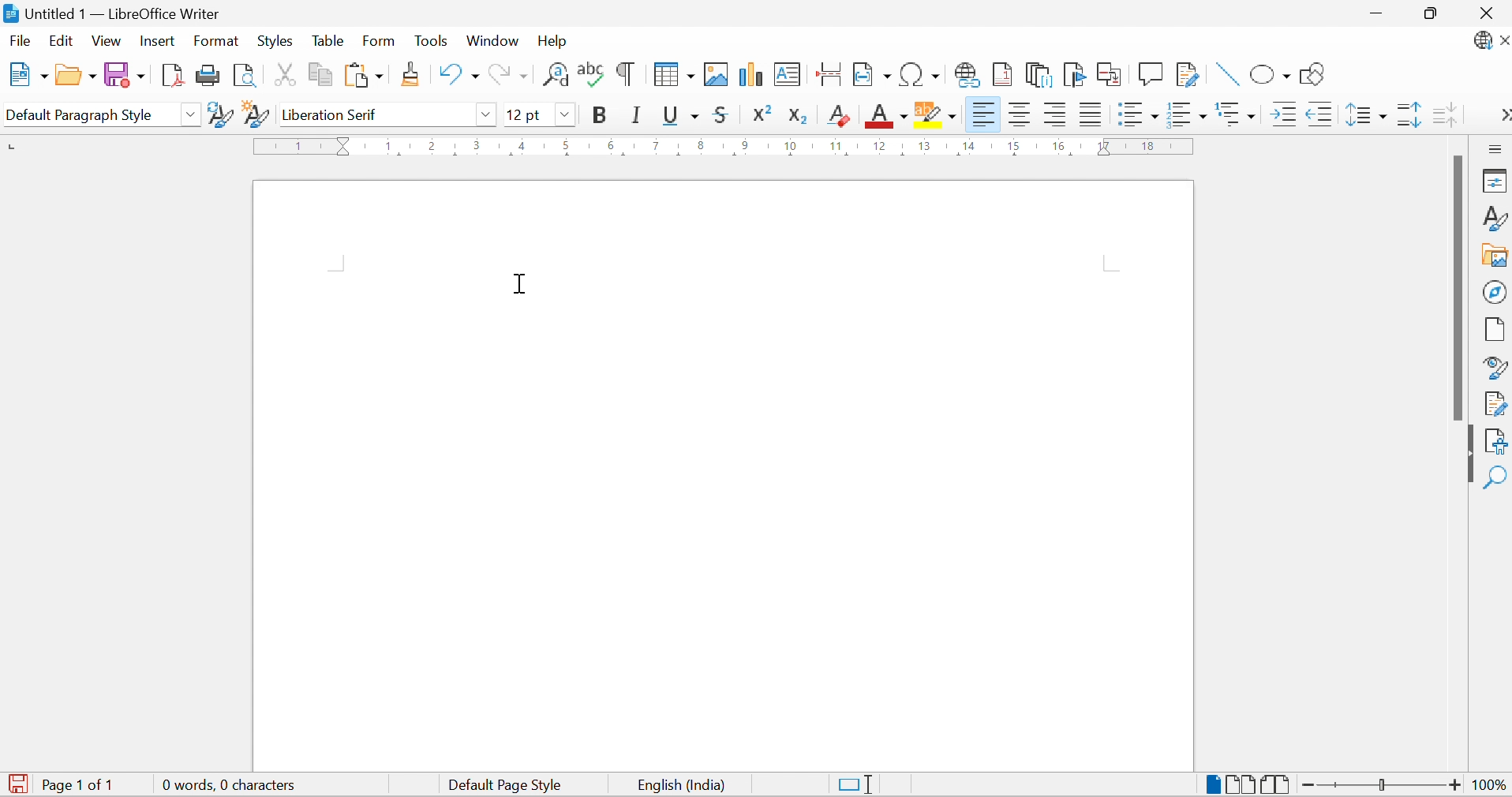  Describe the element at coordinates (1444, 114) in the screenshot. I see `Decrease Paragraph Spacing` at that location.